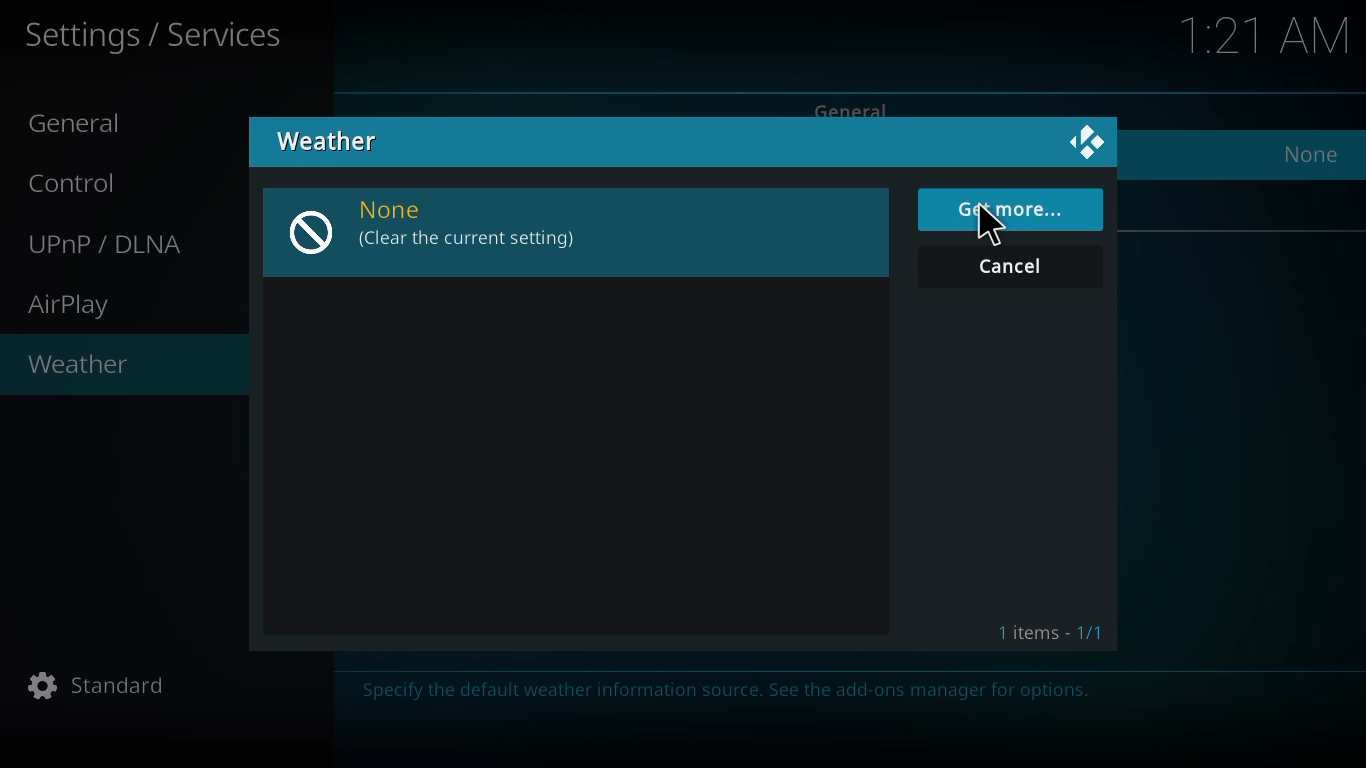 This screenshot has width=1366, height=768. Describe the element at coordinates (1311, 154) in the screenshot. I see `none` at that location.